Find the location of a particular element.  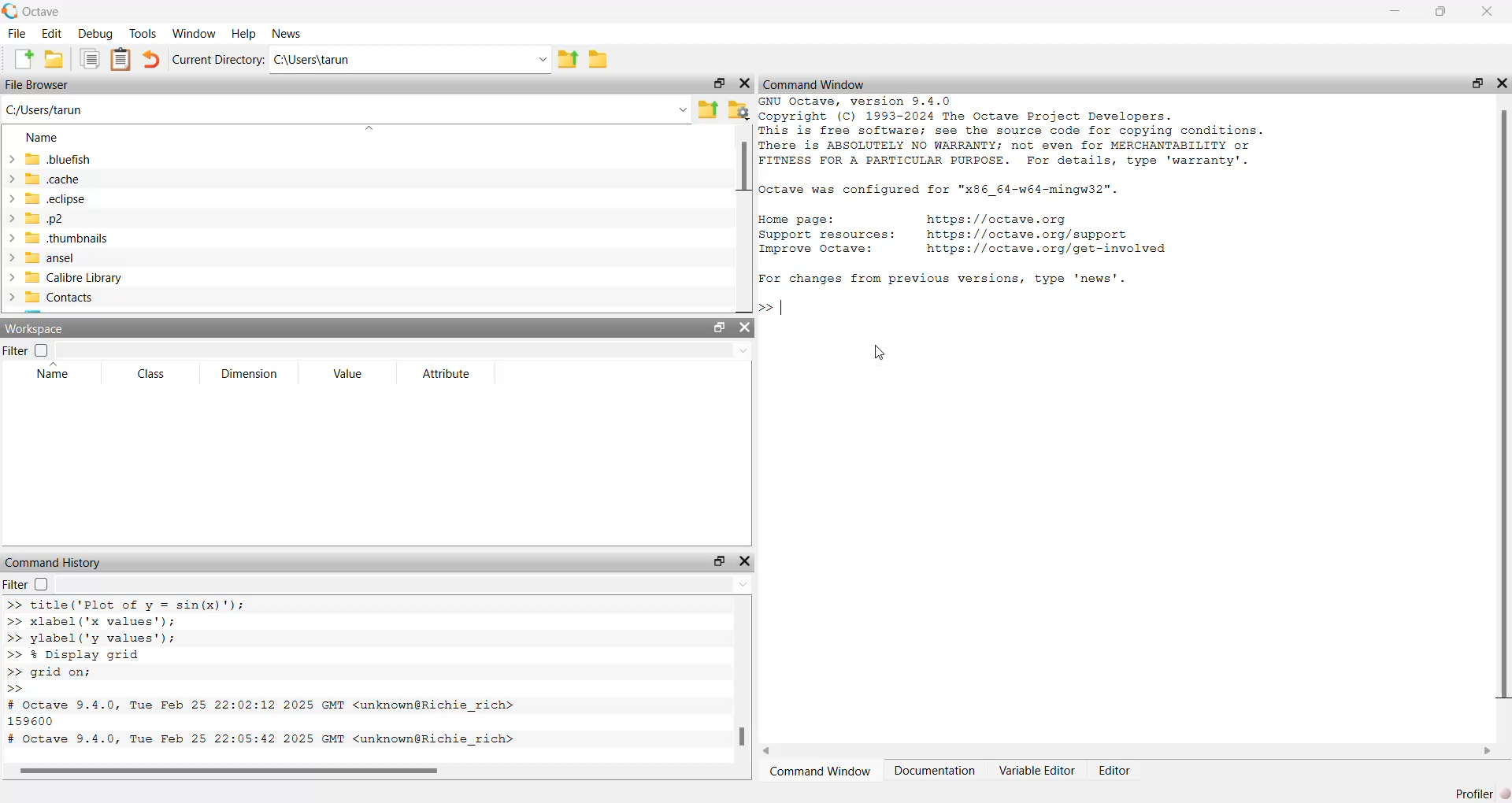

C:/Users/tarun is located at coordinates (43, 109).